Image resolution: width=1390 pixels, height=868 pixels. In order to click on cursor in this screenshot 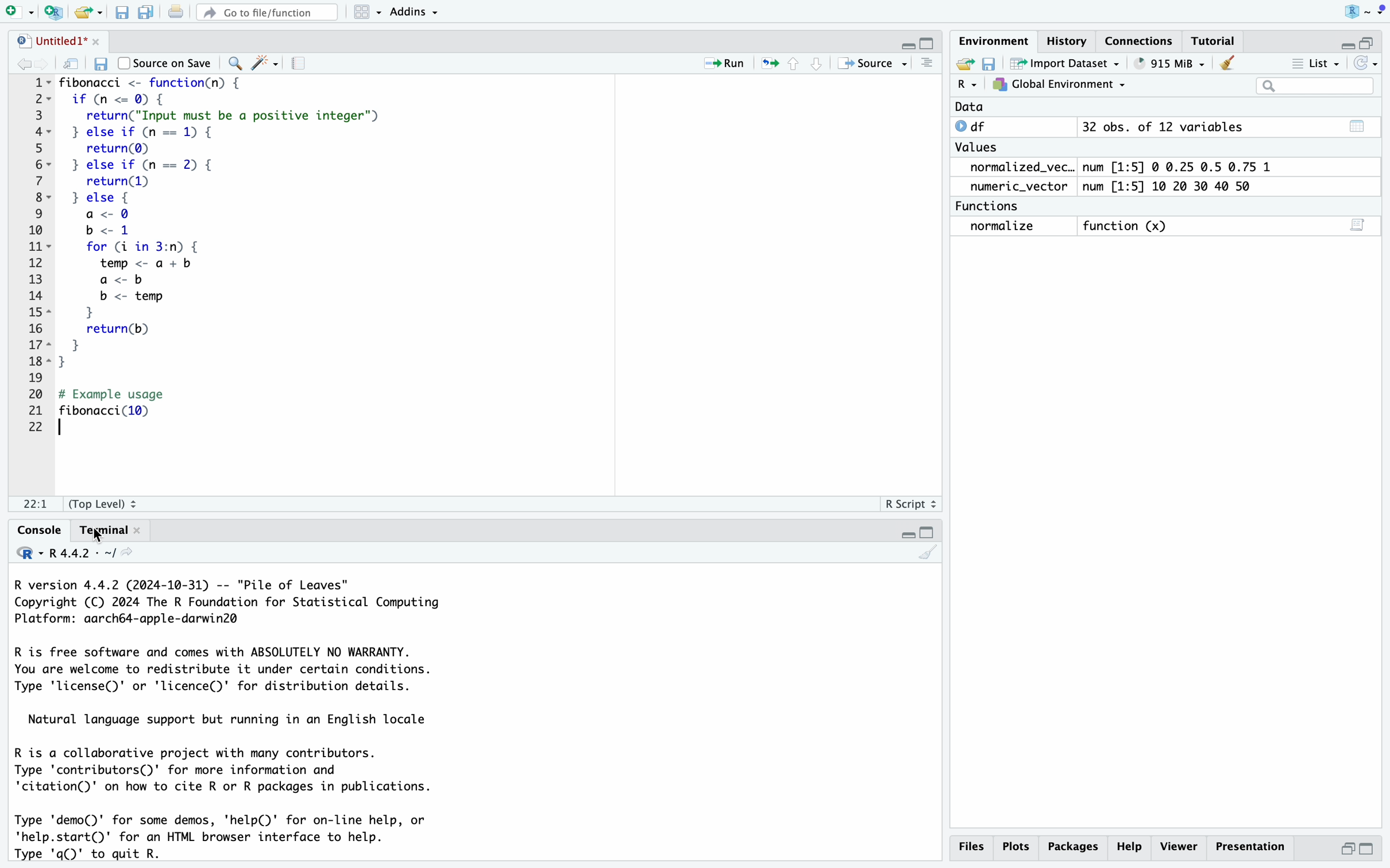, I will do `click(98, 530)`.